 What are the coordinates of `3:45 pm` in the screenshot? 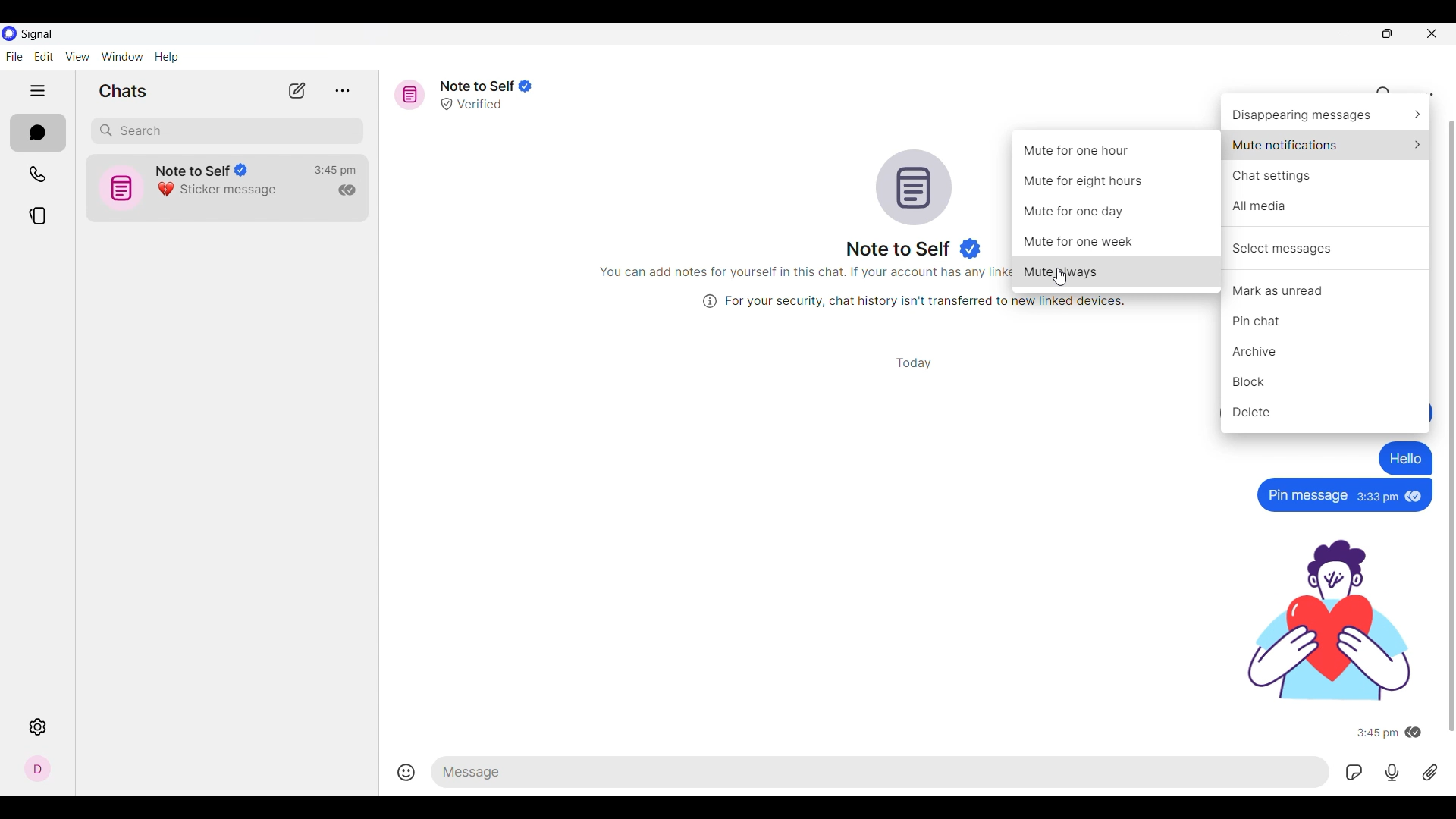 It's located at (1376, 733).